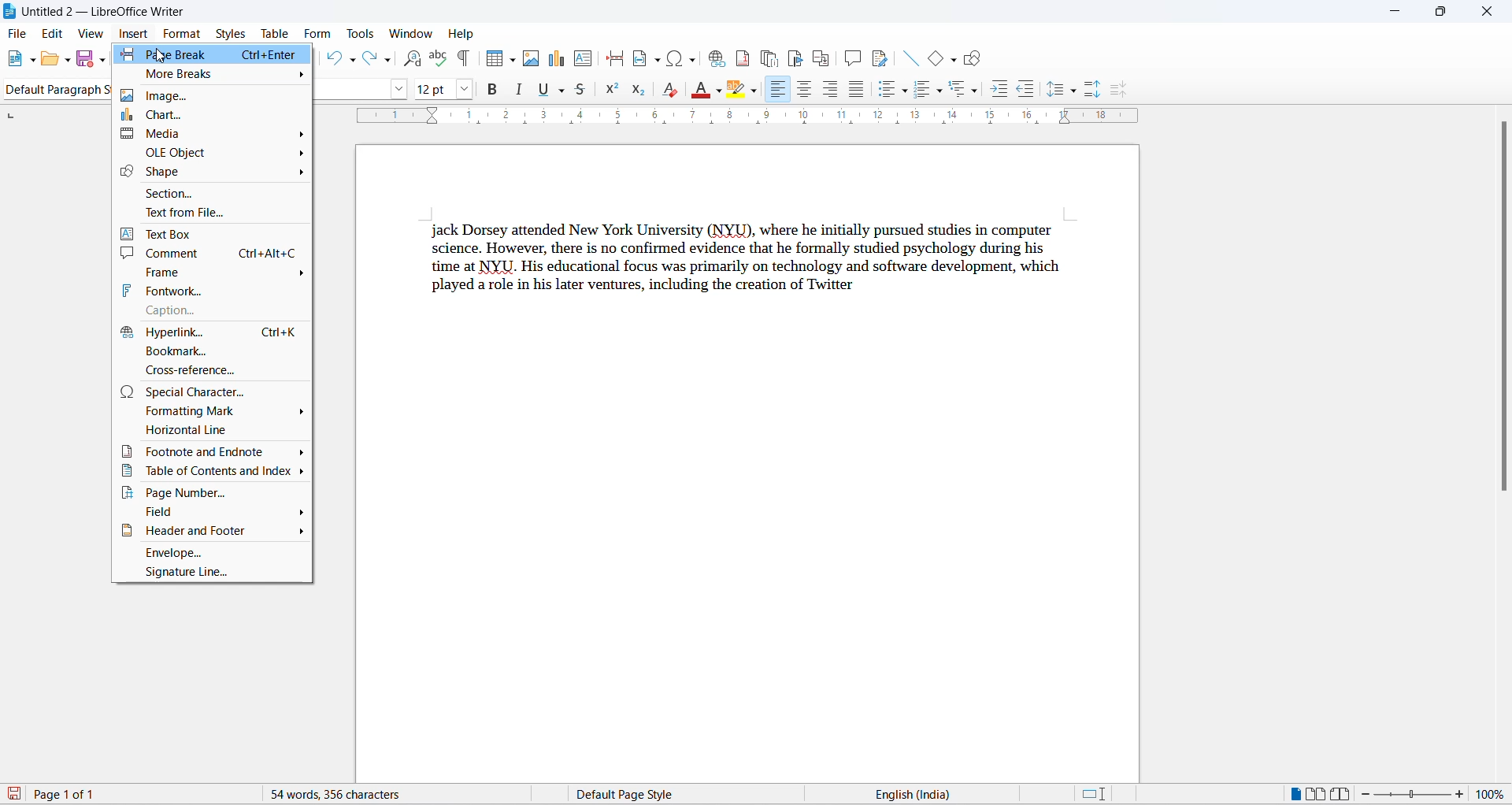  I want to click on subscript, so click(637, 91).